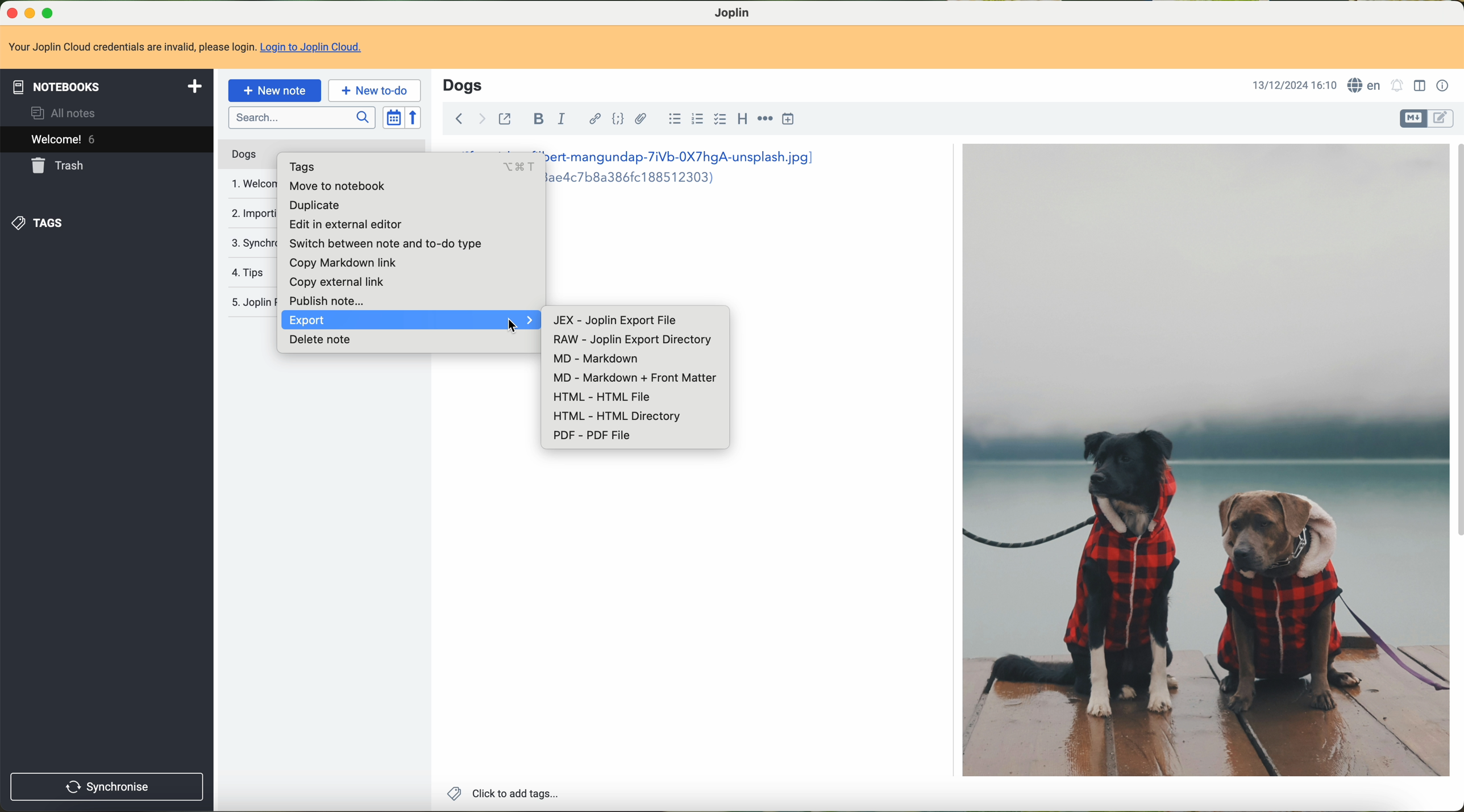 This screenshot has width=1464, height=812. Describe the element at coordinates (630, 378) in the screenshot. I see `MD - Markdown + Front Matter` at that location.